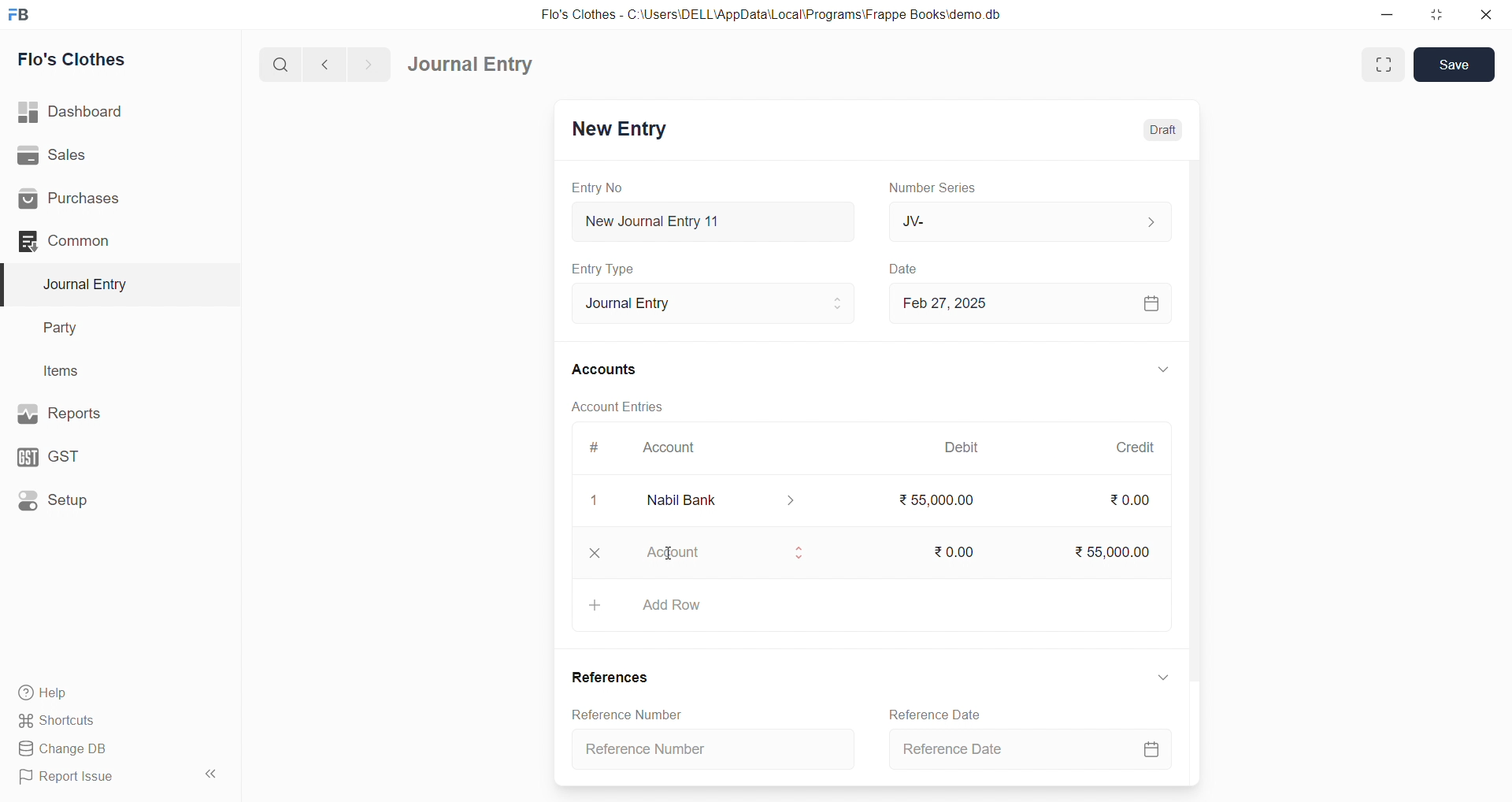 The width and height of the screenshot is (1512, 802). What do you see at coordinates (67, 370) in the screenshot?
I see `Items` at bounding box center [67, 370].